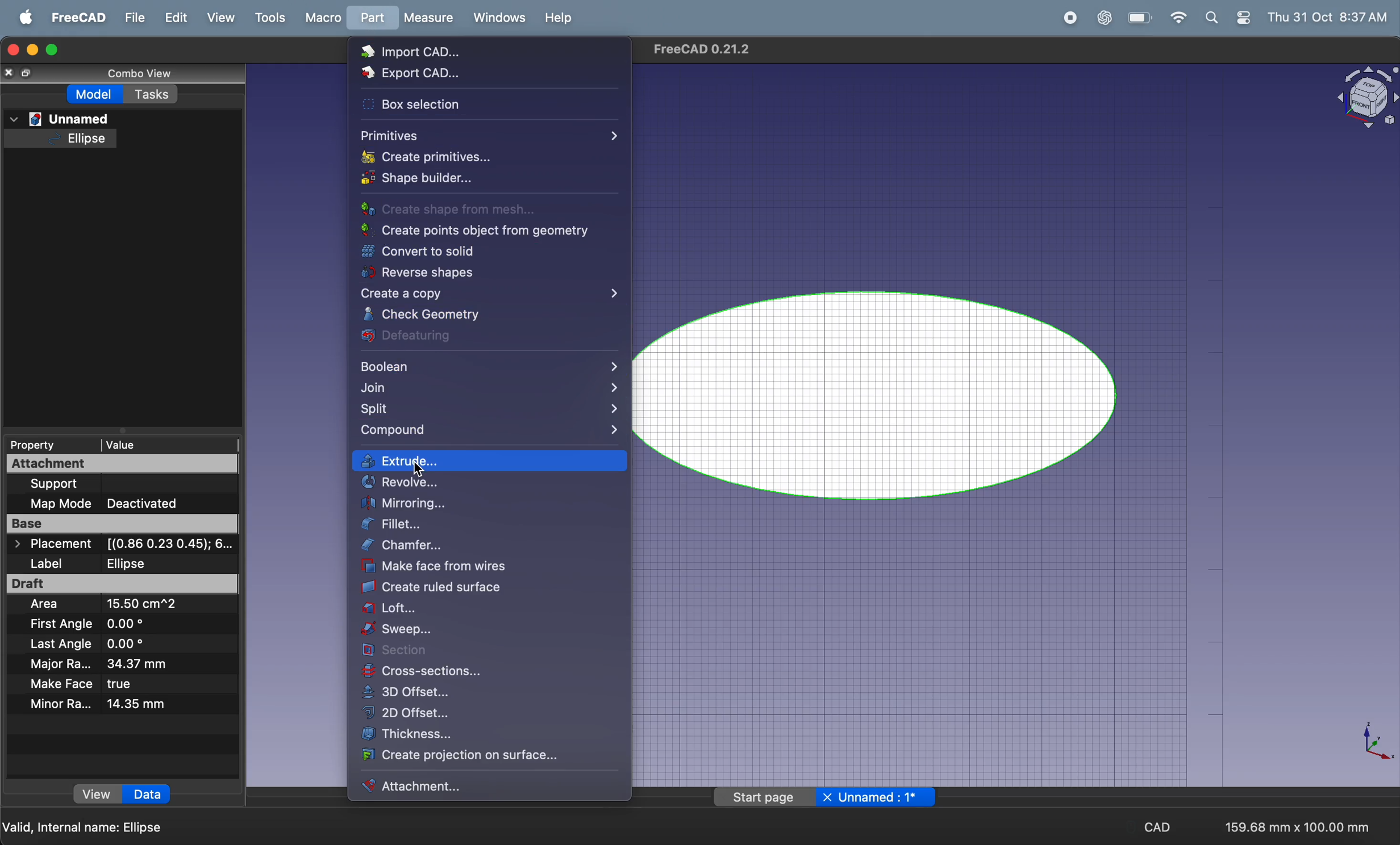 Image resolution: width=1400 pixels, height=845 pixels. Describe the element at coordinates (107, 625) in the screenshot. I see `first angle` at that location.